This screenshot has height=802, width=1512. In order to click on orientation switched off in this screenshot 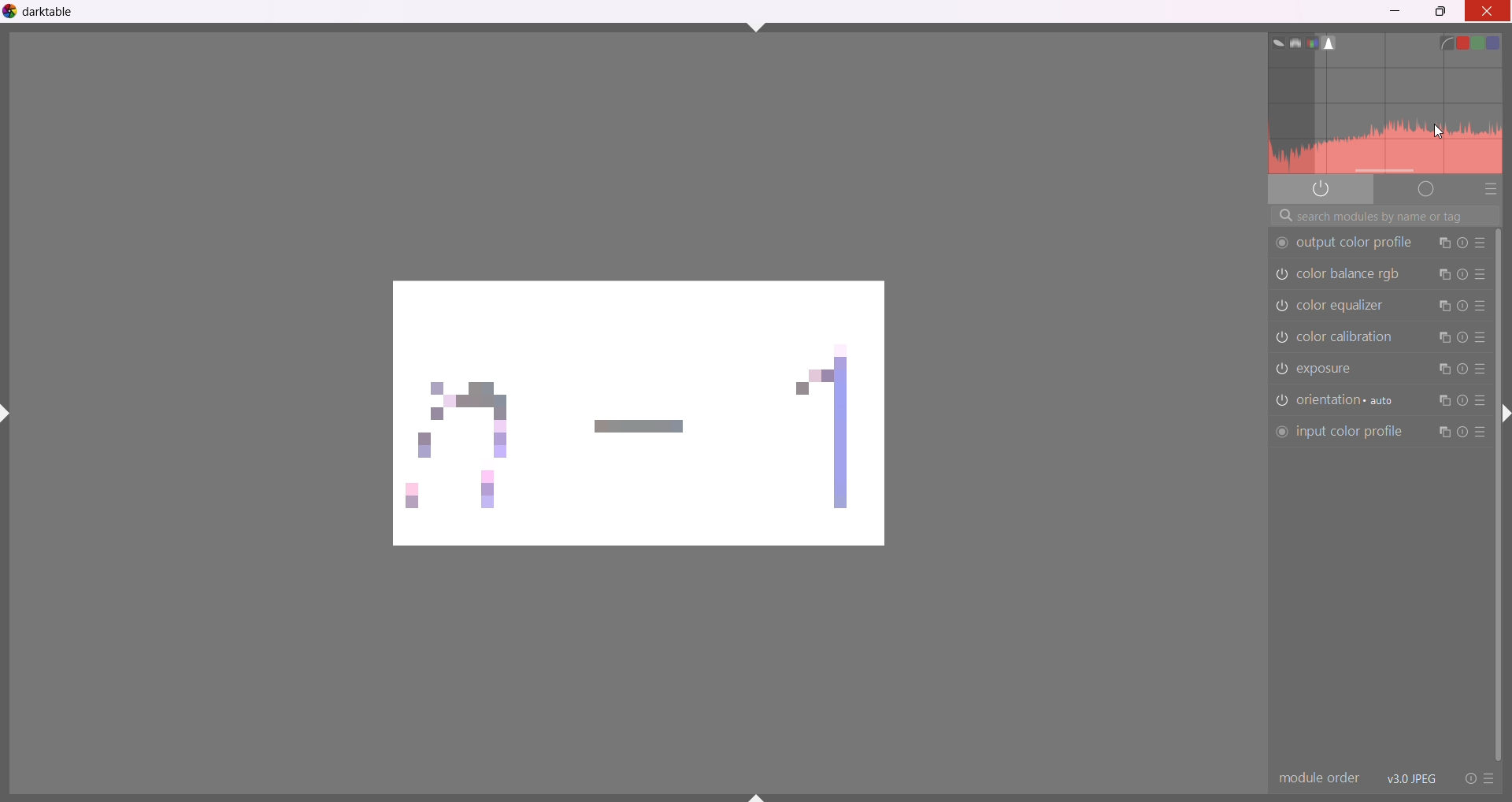, I will do `click(1280, 401)`.